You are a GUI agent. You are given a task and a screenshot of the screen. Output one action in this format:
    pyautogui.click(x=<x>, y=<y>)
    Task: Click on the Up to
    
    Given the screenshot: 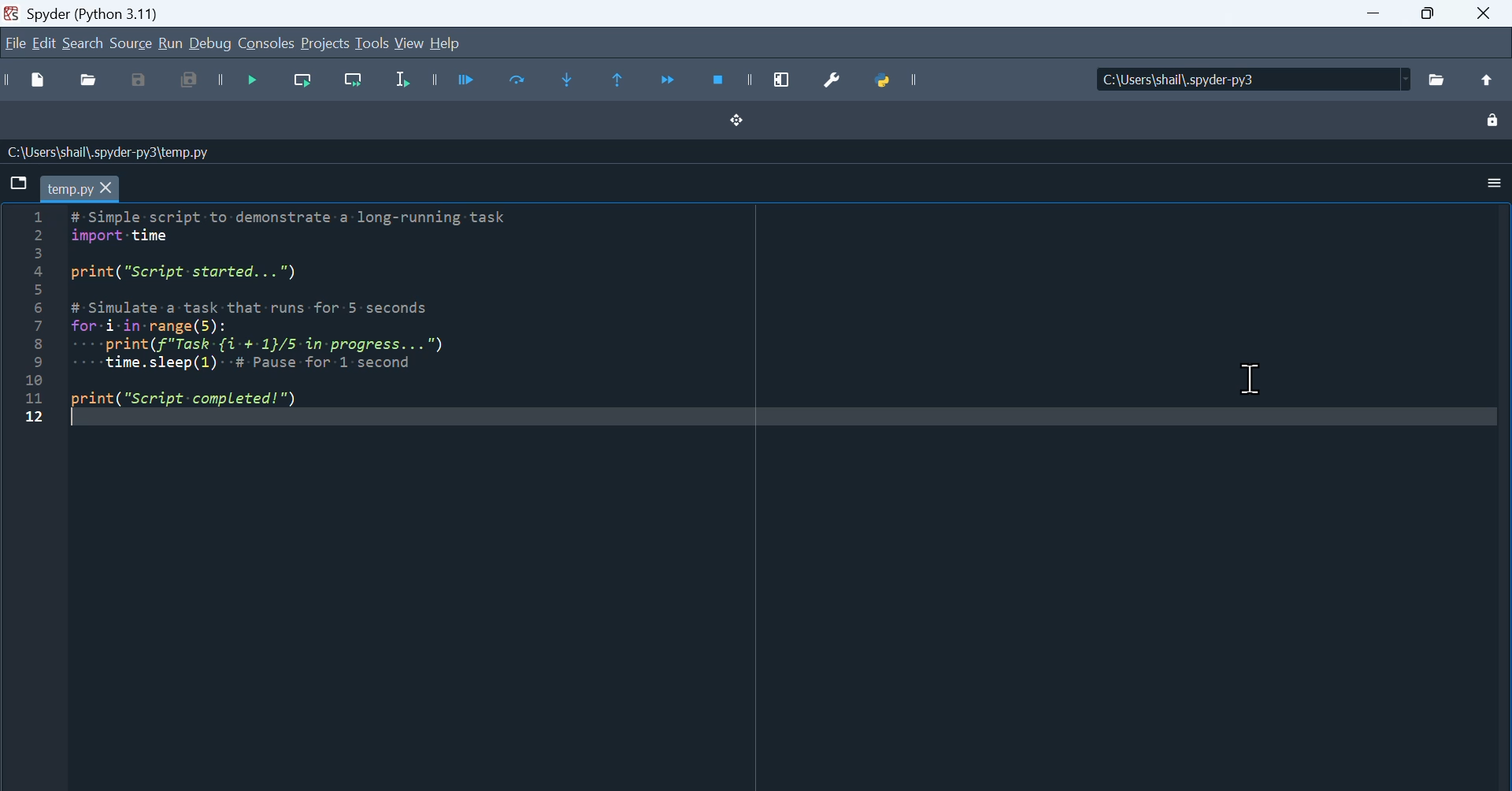 What is the action you would take?
    pyautogui.click(x=1487, y=79)
    